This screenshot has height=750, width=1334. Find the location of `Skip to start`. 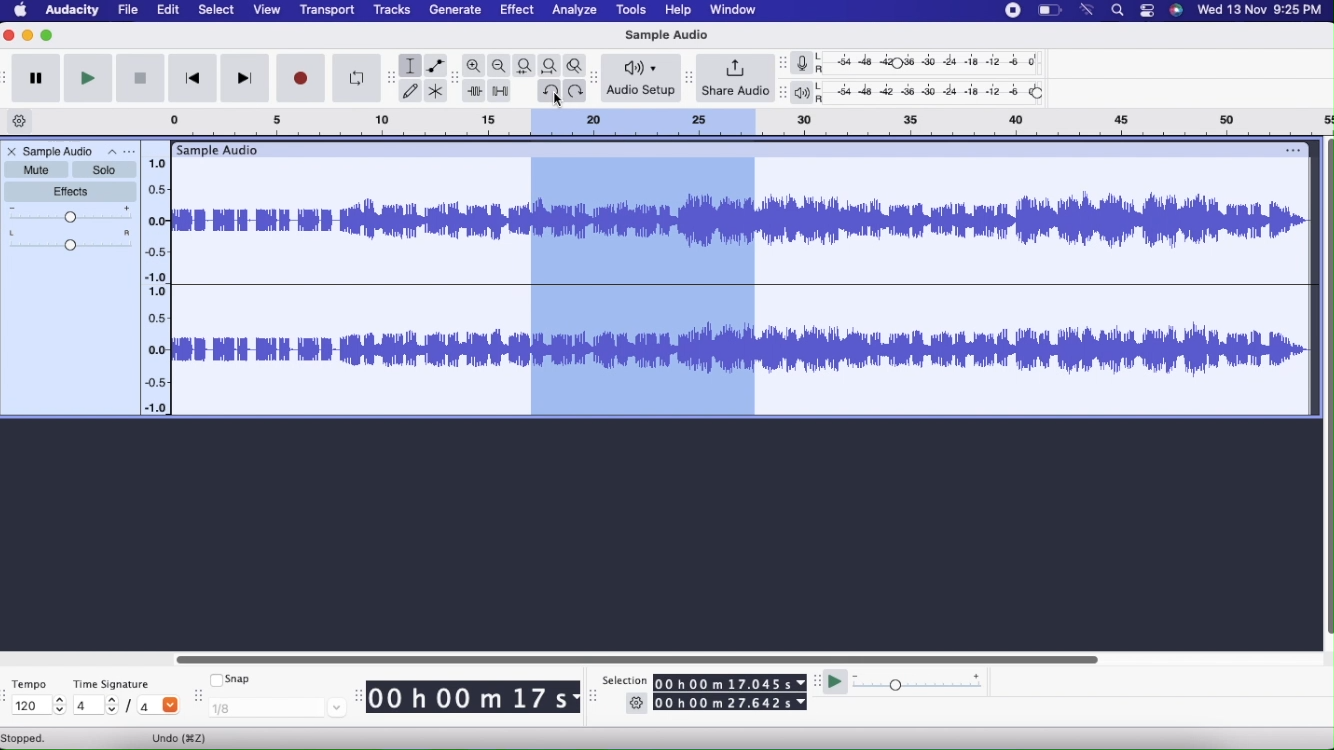

Skip to start is located at coordinates (192, 78).